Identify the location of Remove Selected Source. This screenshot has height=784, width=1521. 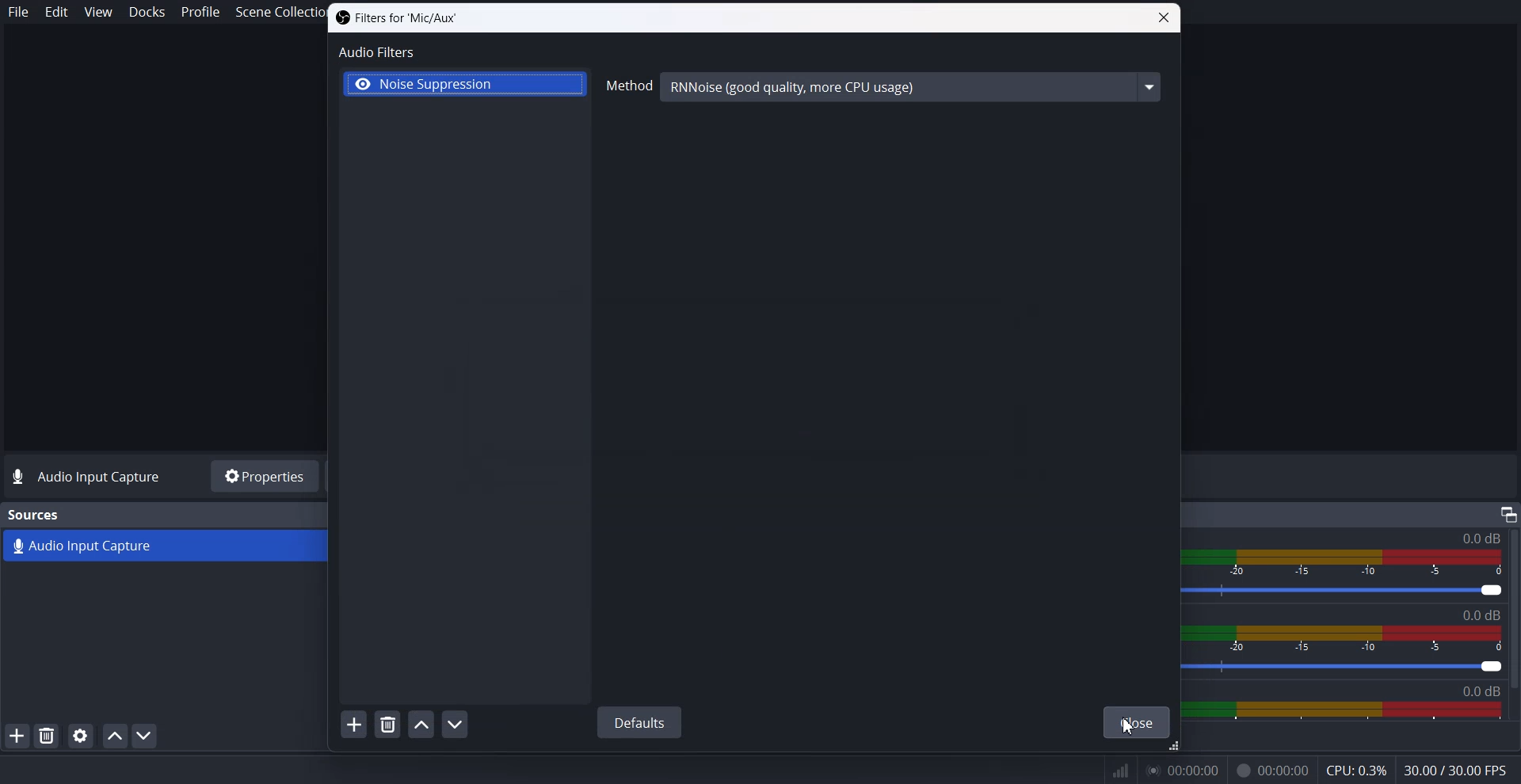
(47, 735).